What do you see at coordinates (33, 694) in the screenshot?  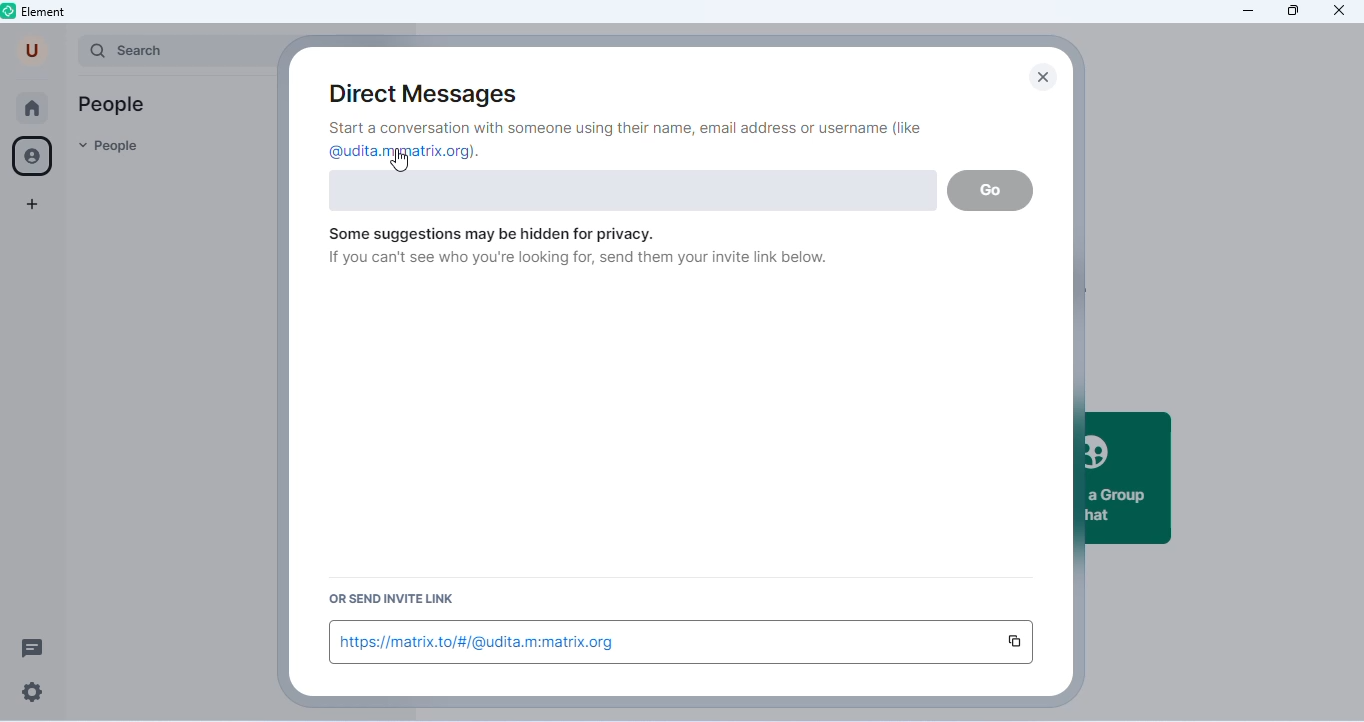 I see `quick settings` at bounding box center [33, 694].